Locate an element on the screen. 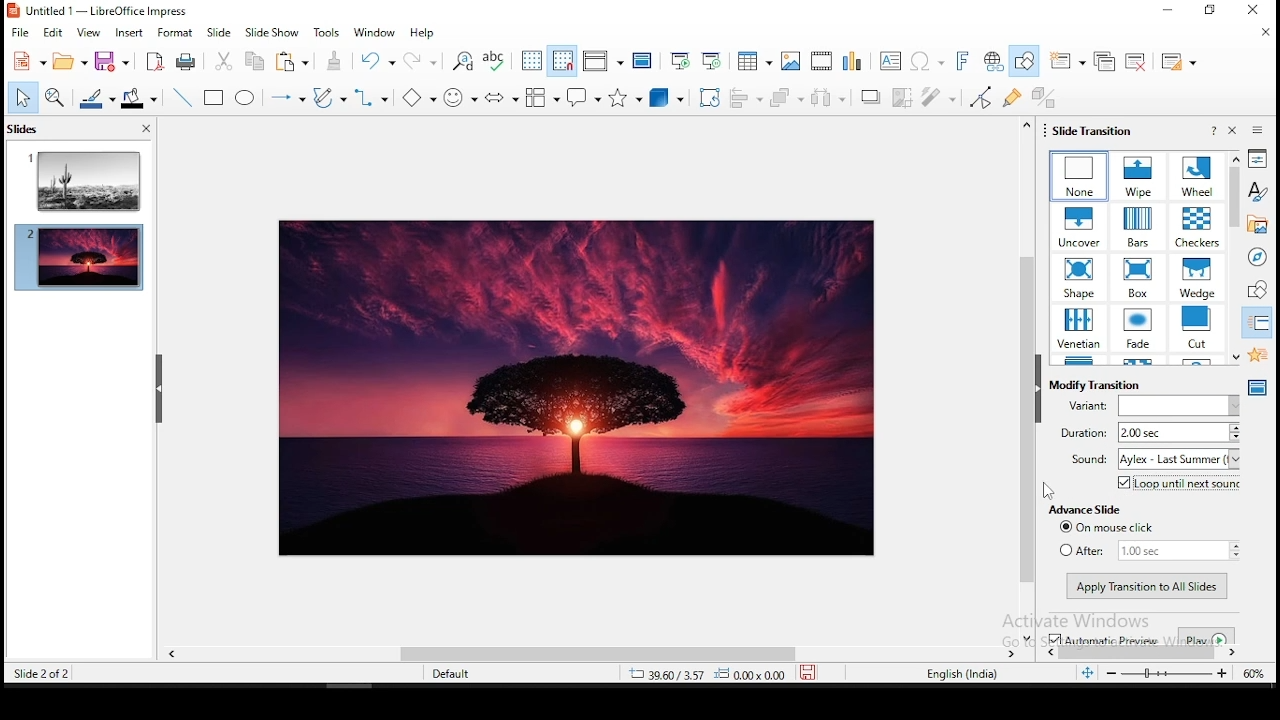 Image resolution: width=1280 pixels, height=720 pixels. fit to width is located at coordinates (1086, 675).